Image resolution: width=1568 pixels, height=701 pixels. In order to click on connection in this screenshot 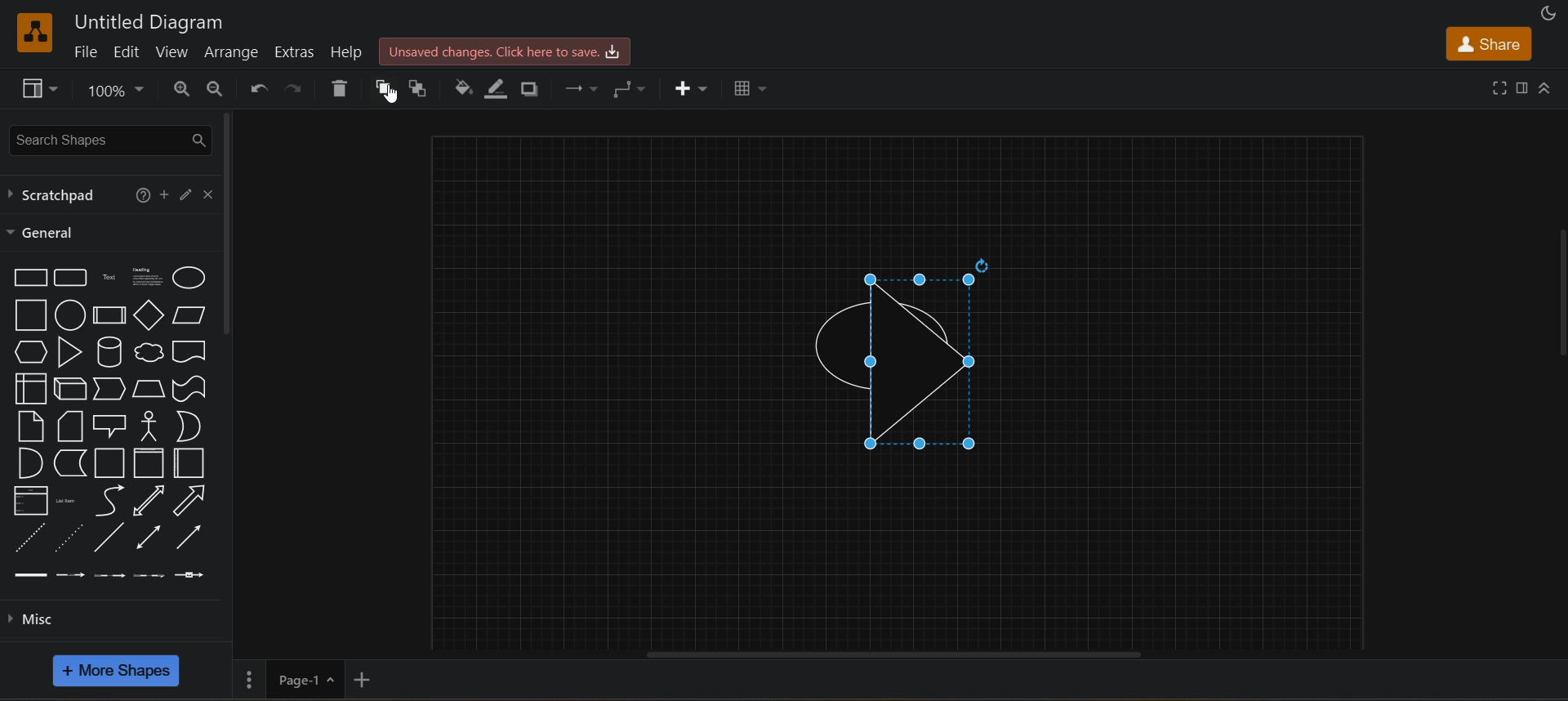, I will do `click(581, 90)`.